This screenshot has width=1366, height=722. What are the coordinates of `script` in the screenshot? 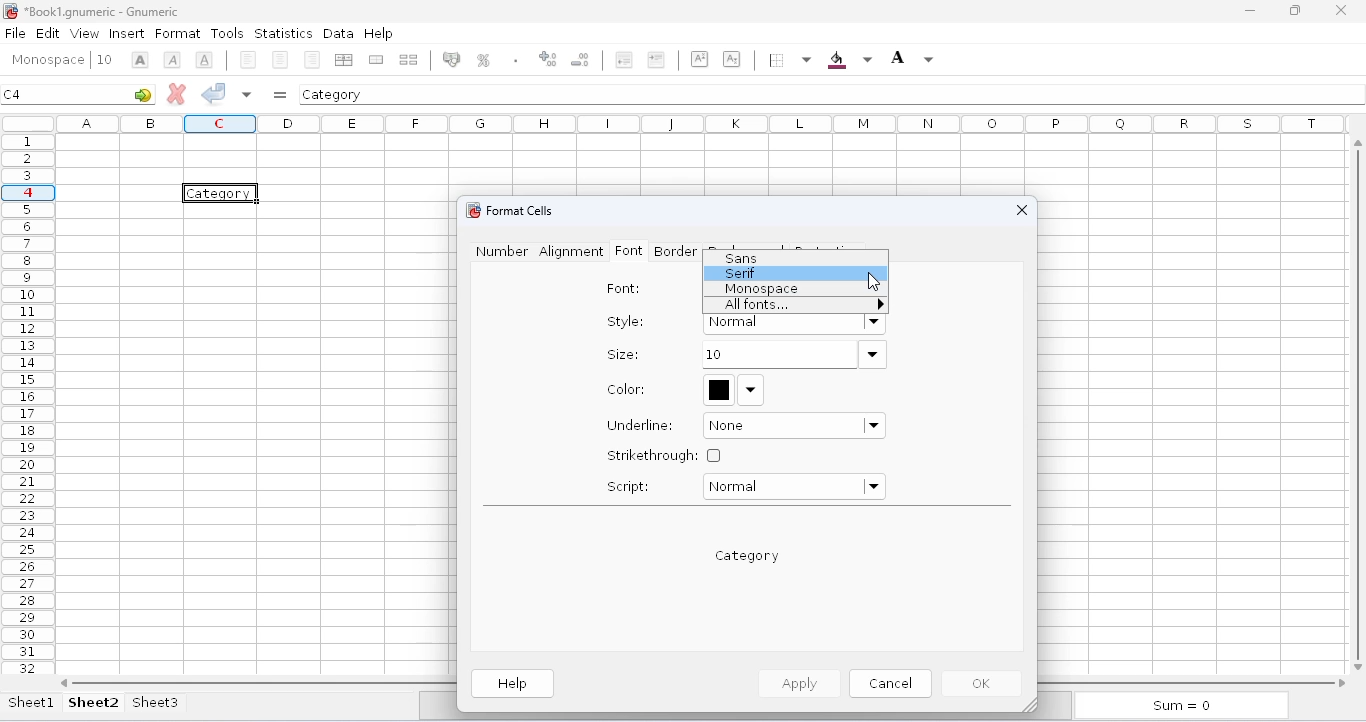 It's located at (628, 486).